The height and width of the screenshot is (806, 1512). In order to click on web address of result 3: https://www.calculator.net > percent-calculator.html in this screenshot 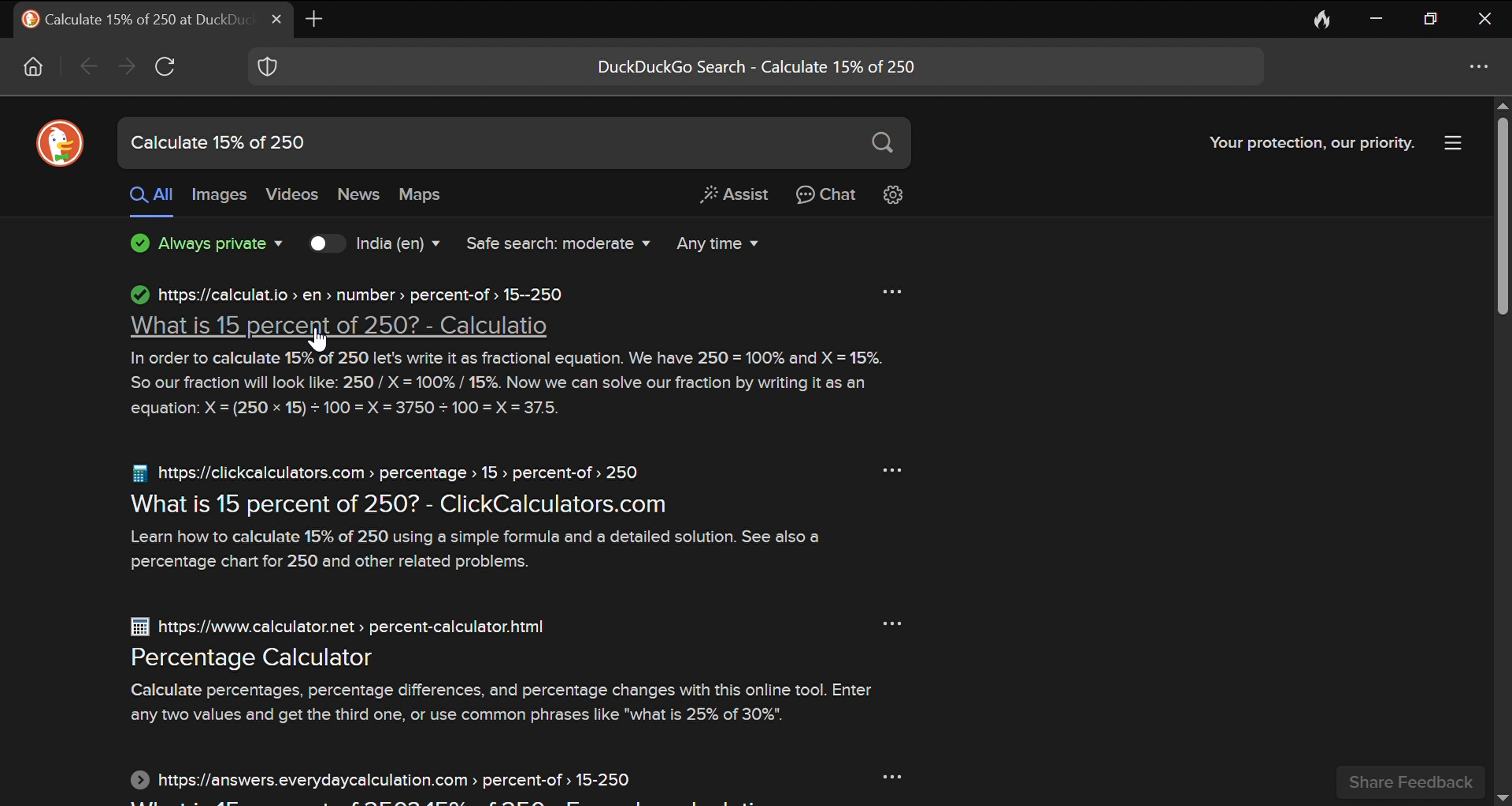, I will do `click(341, 627)`.